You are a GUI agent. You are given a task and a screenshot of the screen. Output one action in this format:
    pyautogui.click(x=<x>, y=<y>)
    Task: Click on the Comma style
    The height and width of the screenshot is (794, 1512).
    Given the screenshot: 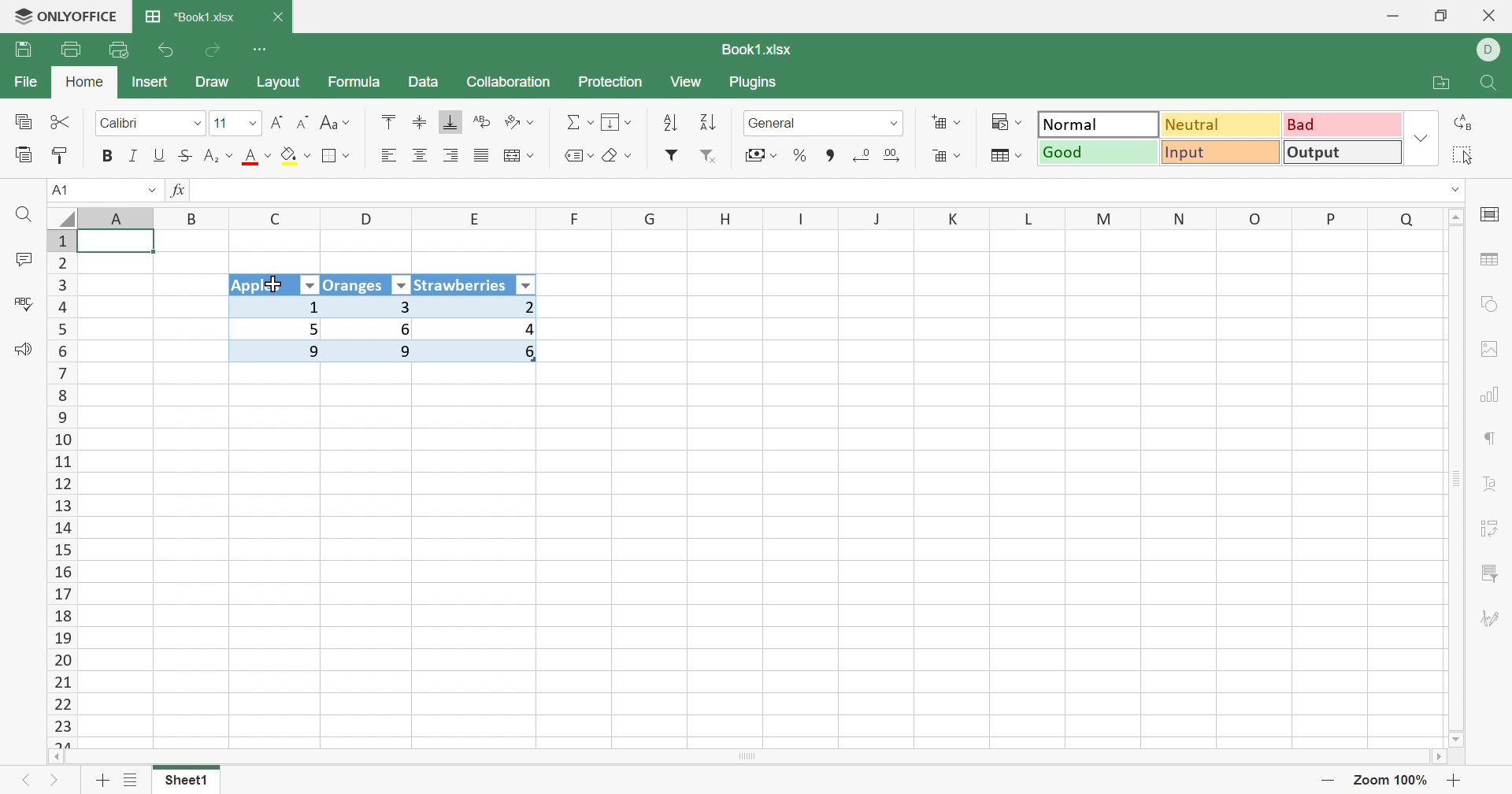 What is the action you would take?
    pyautogui.click(x=831, y=154)
    